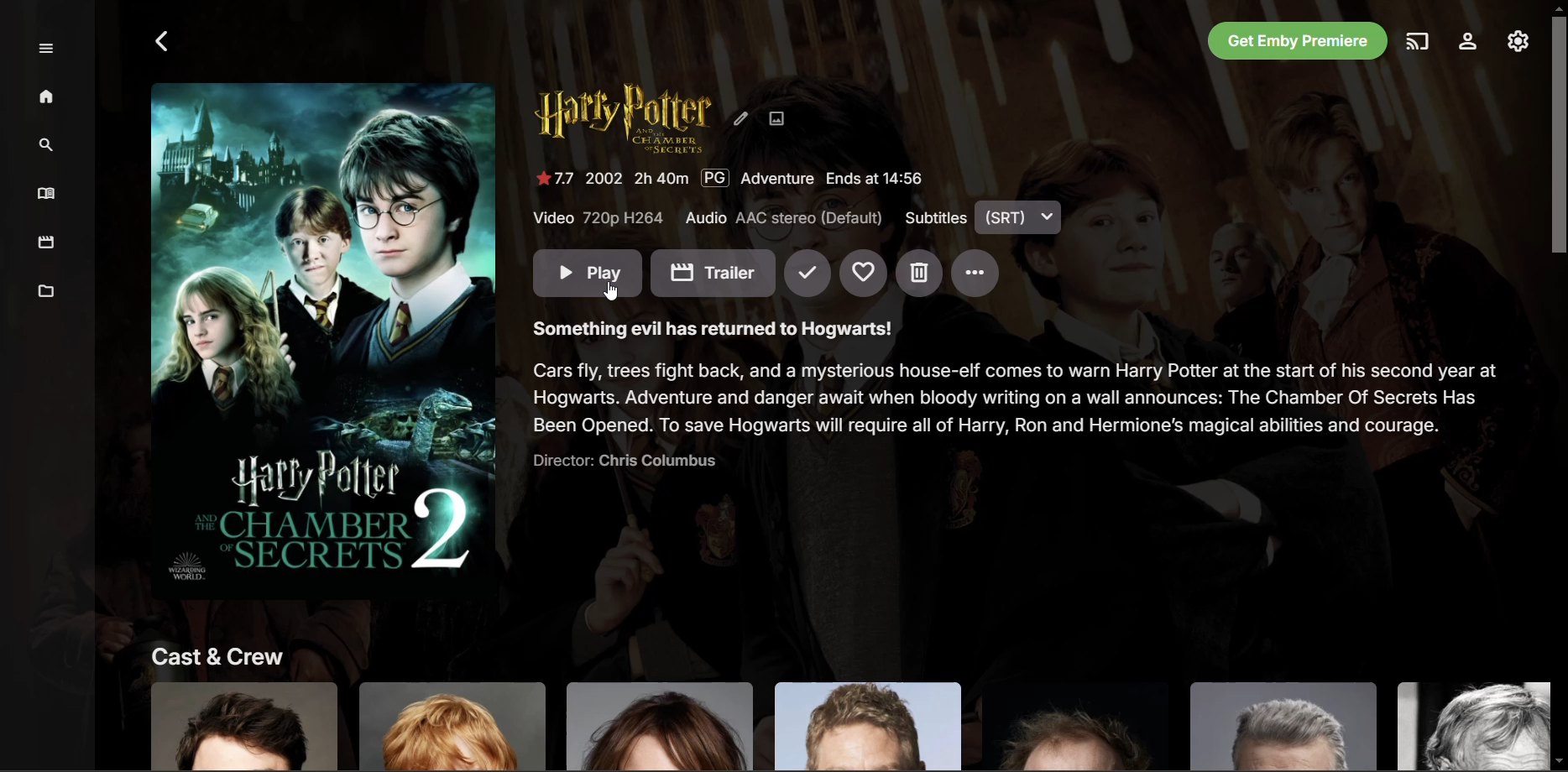 The height and width of the screenshot is (772, 1568). I want to click on Movie Title, so click(620, 120).